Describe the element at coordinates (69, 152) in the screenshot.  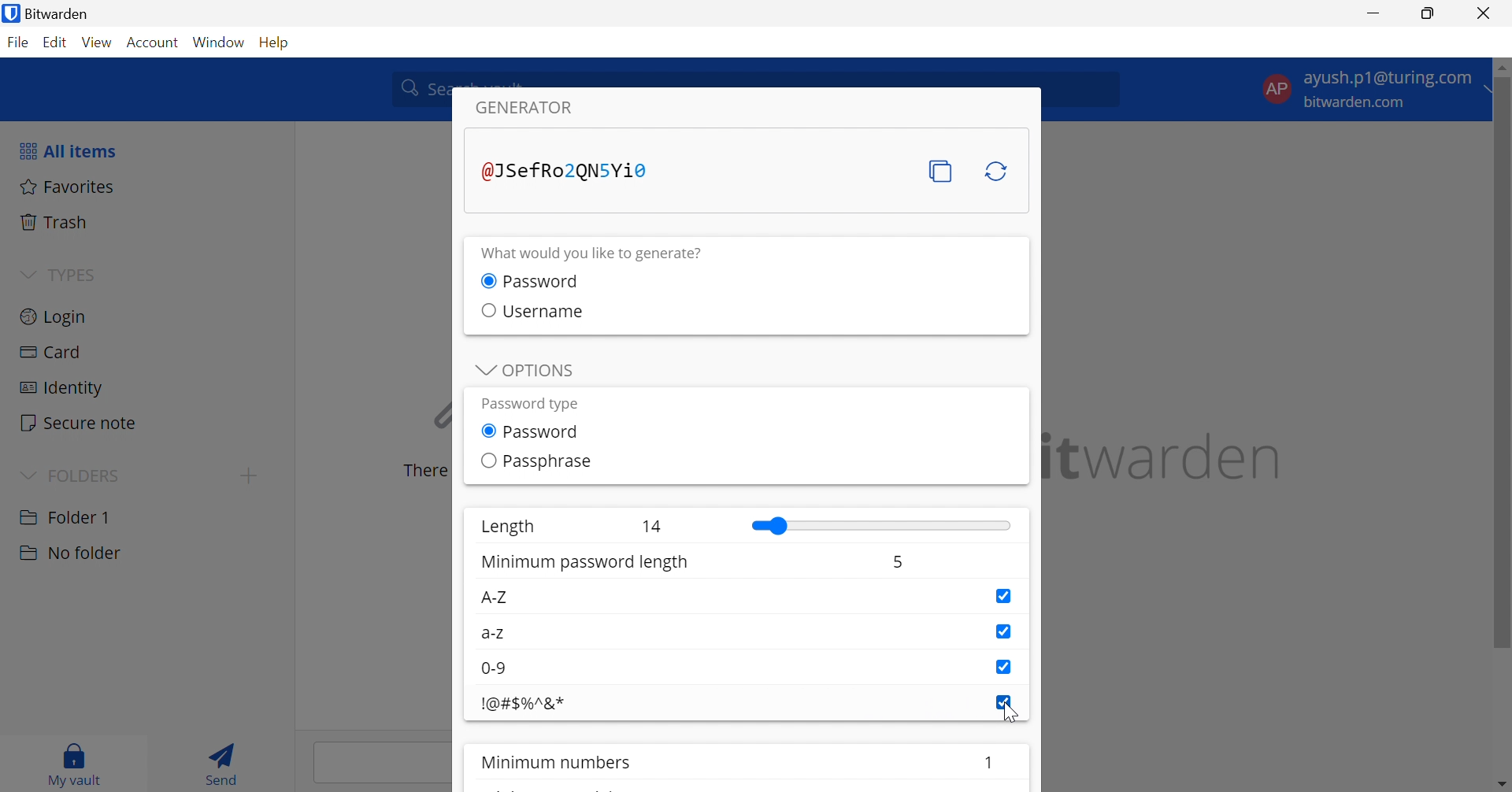
I see `All items` at that location.